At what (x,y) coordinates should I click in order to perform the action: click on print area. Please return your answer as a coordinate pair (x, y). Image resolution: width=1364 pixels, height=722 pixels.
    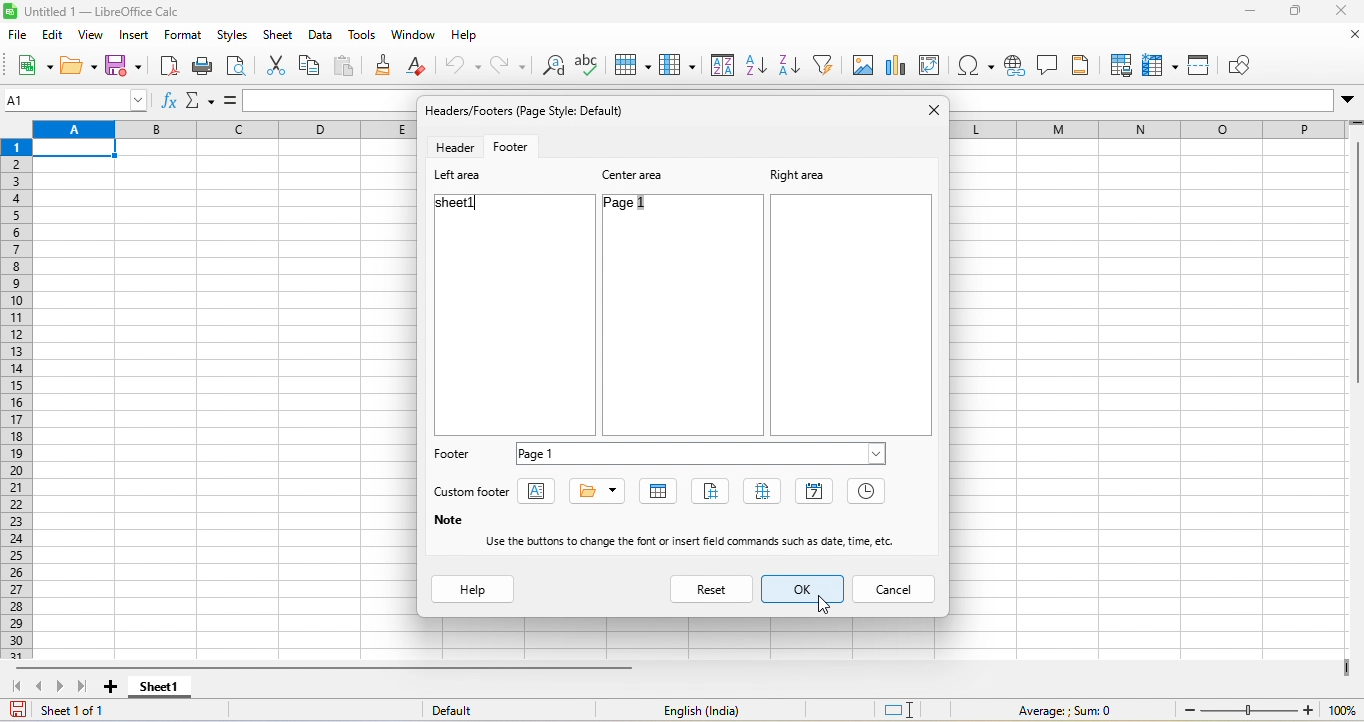
    Looking at the image, I should click on (1119, 65).